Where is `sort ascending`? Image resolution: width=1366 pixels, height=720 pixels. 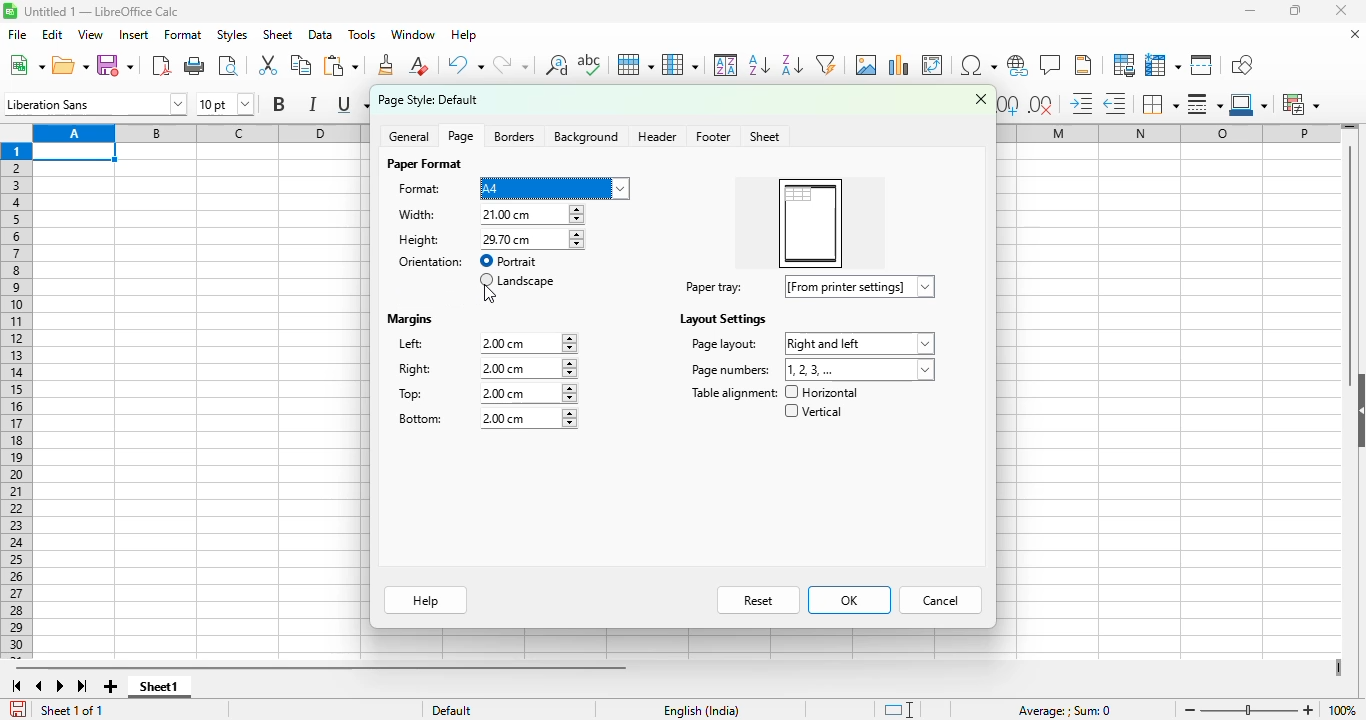 sort ascending is located at coordinates (759, 66).